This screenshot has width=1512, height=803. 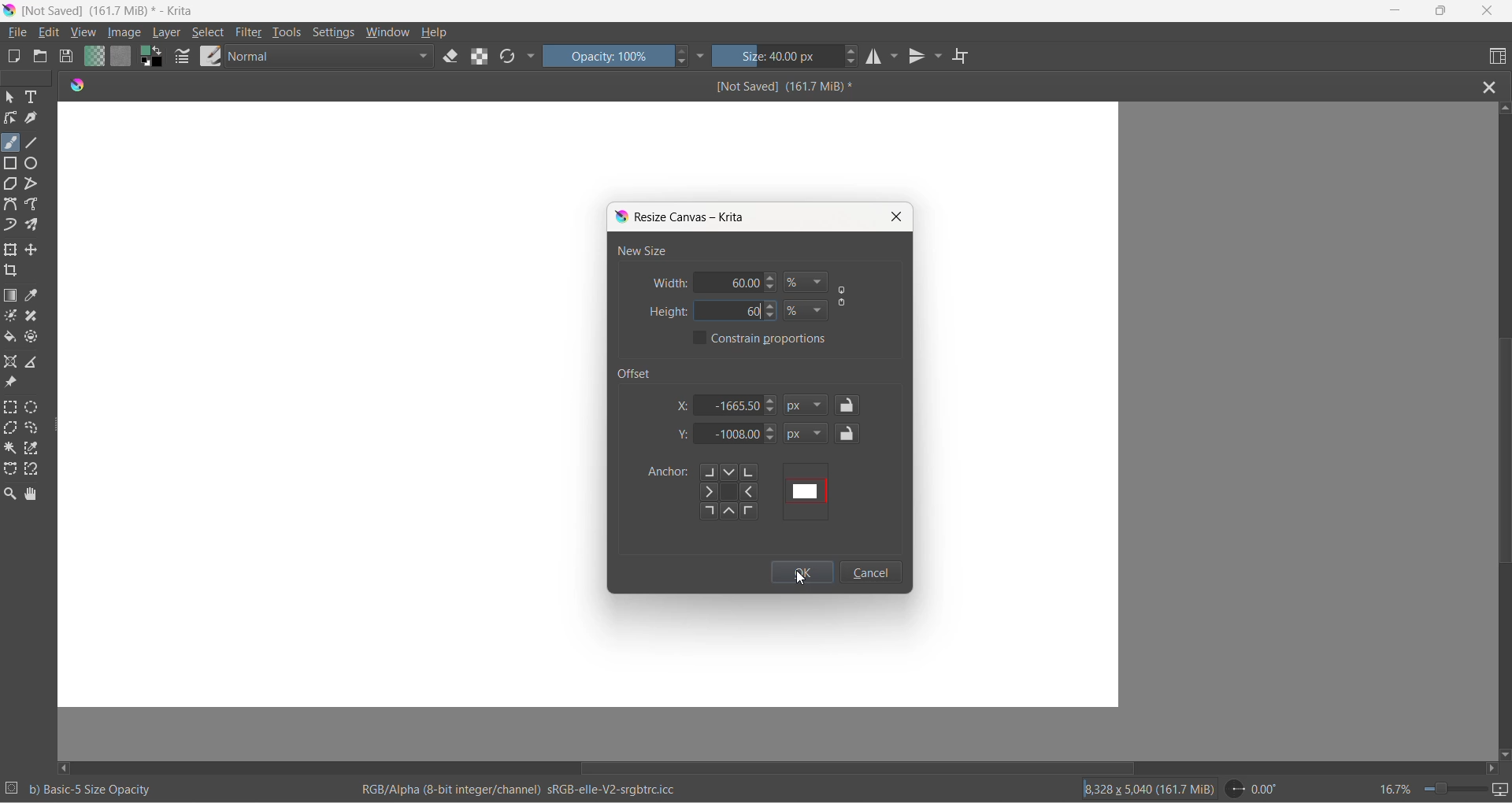 I want to click on Change height, so click(x=773, y=310).